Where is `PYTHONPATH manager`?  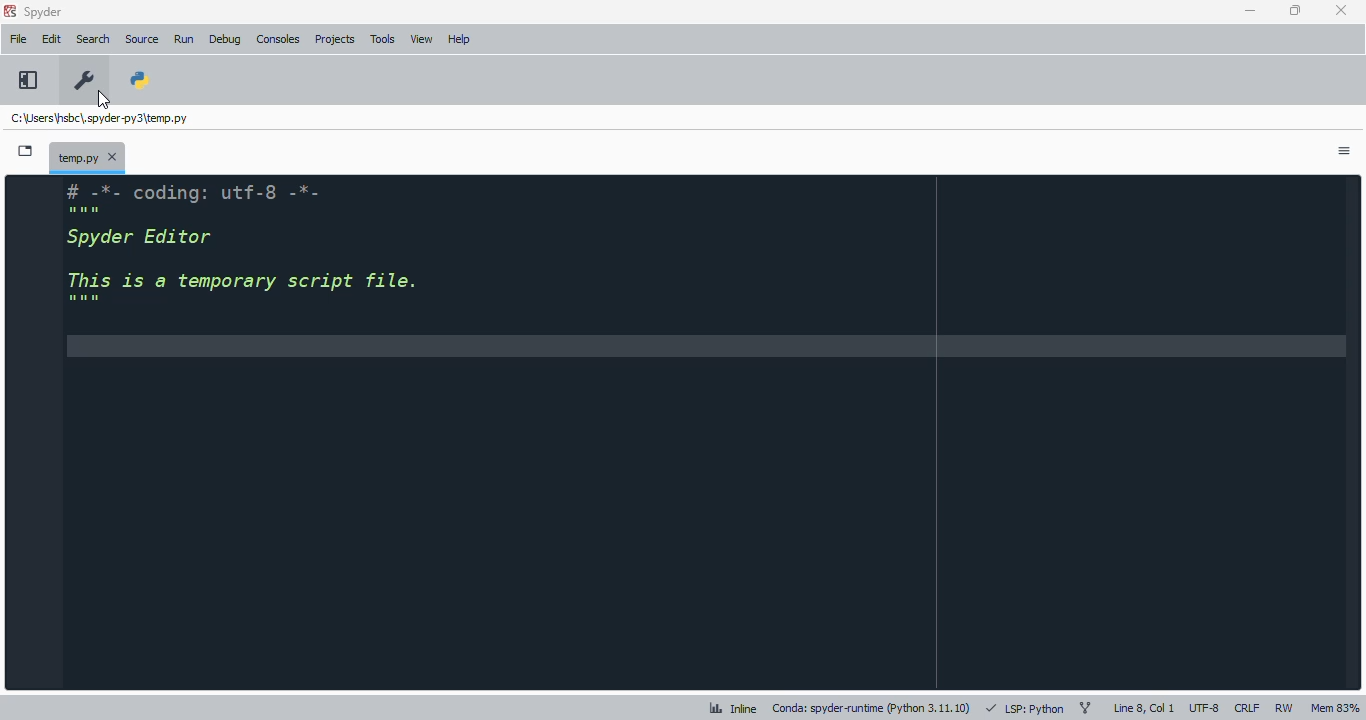
PYTHONPATH manager is located at coordinates (138, 78).